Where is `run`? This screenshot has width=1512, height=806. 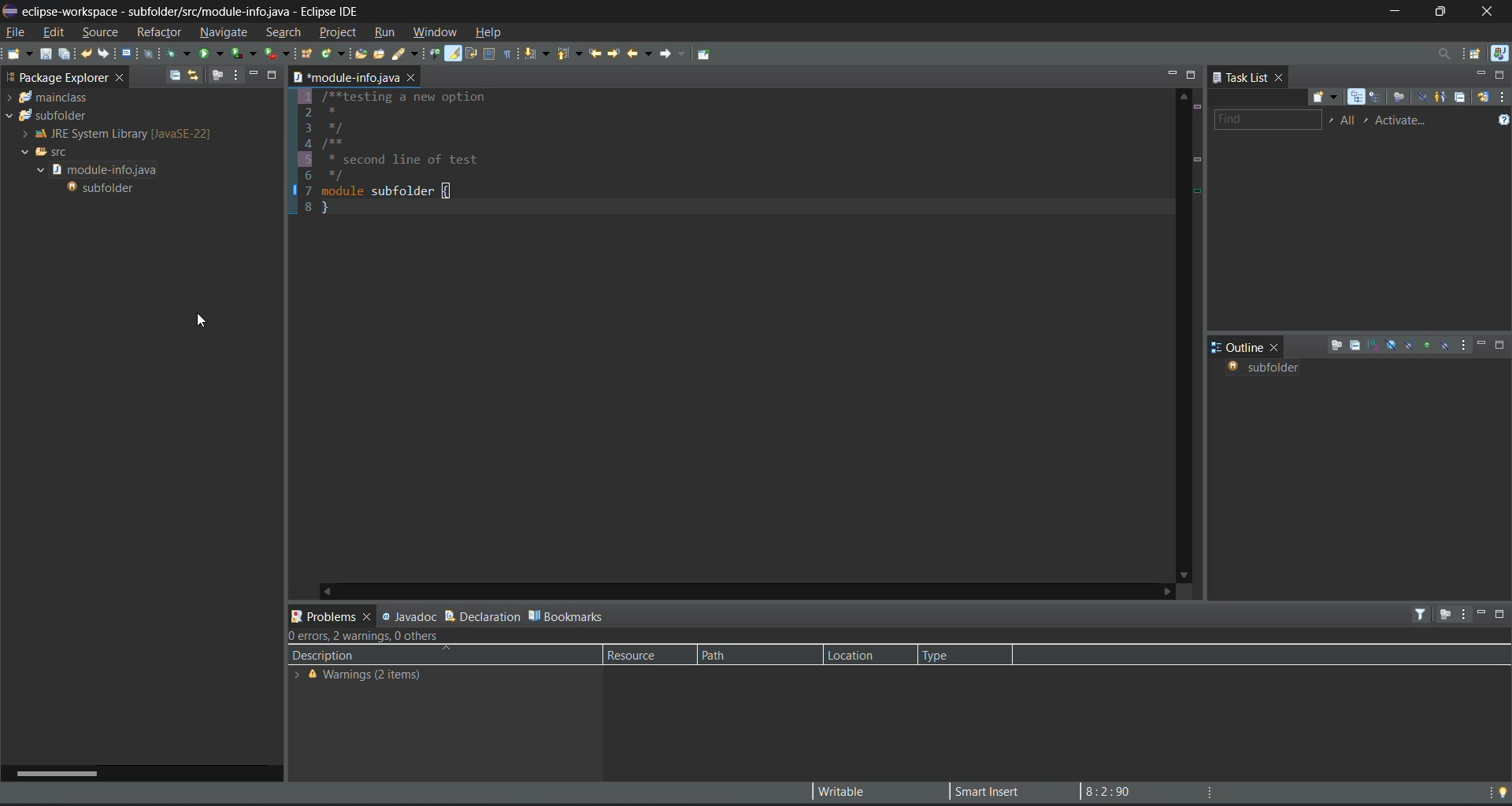 run is located at coordinates (388, 33).